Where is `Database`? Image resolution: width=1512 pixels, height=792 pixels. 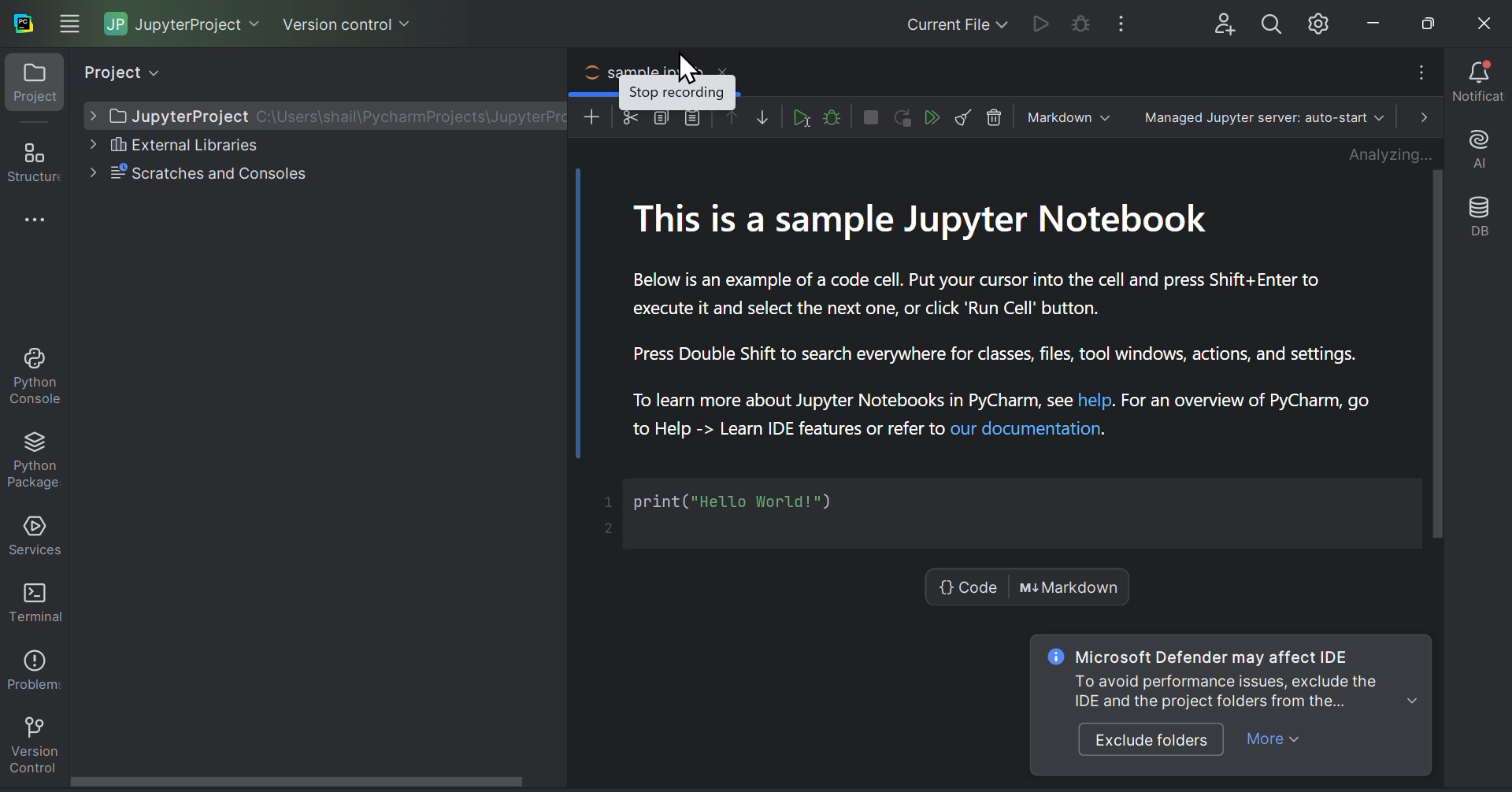
Database is located at coordinates (1482, 217).